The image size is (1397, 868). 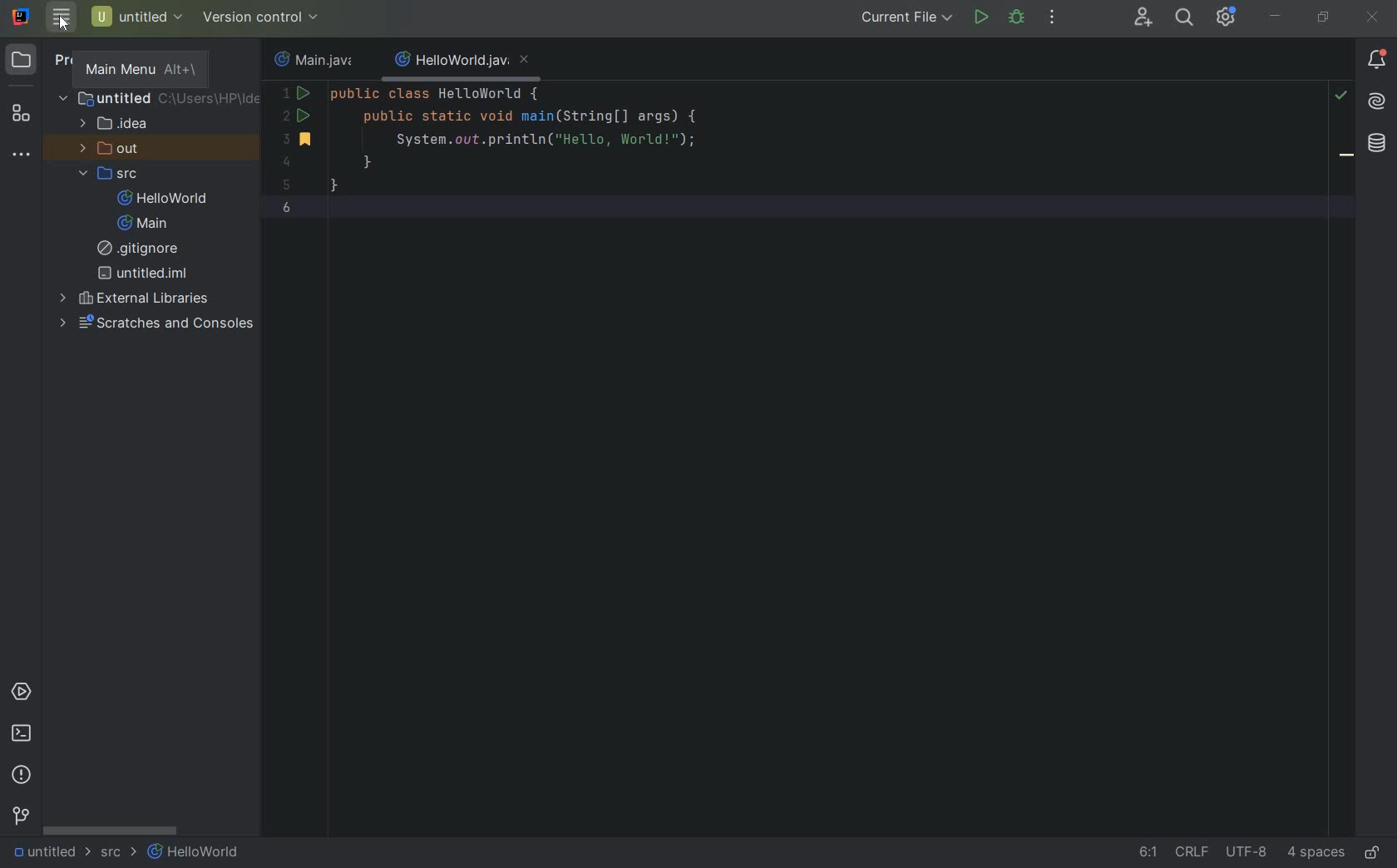 I want to click on line separator, so click(x=1192, y=854).